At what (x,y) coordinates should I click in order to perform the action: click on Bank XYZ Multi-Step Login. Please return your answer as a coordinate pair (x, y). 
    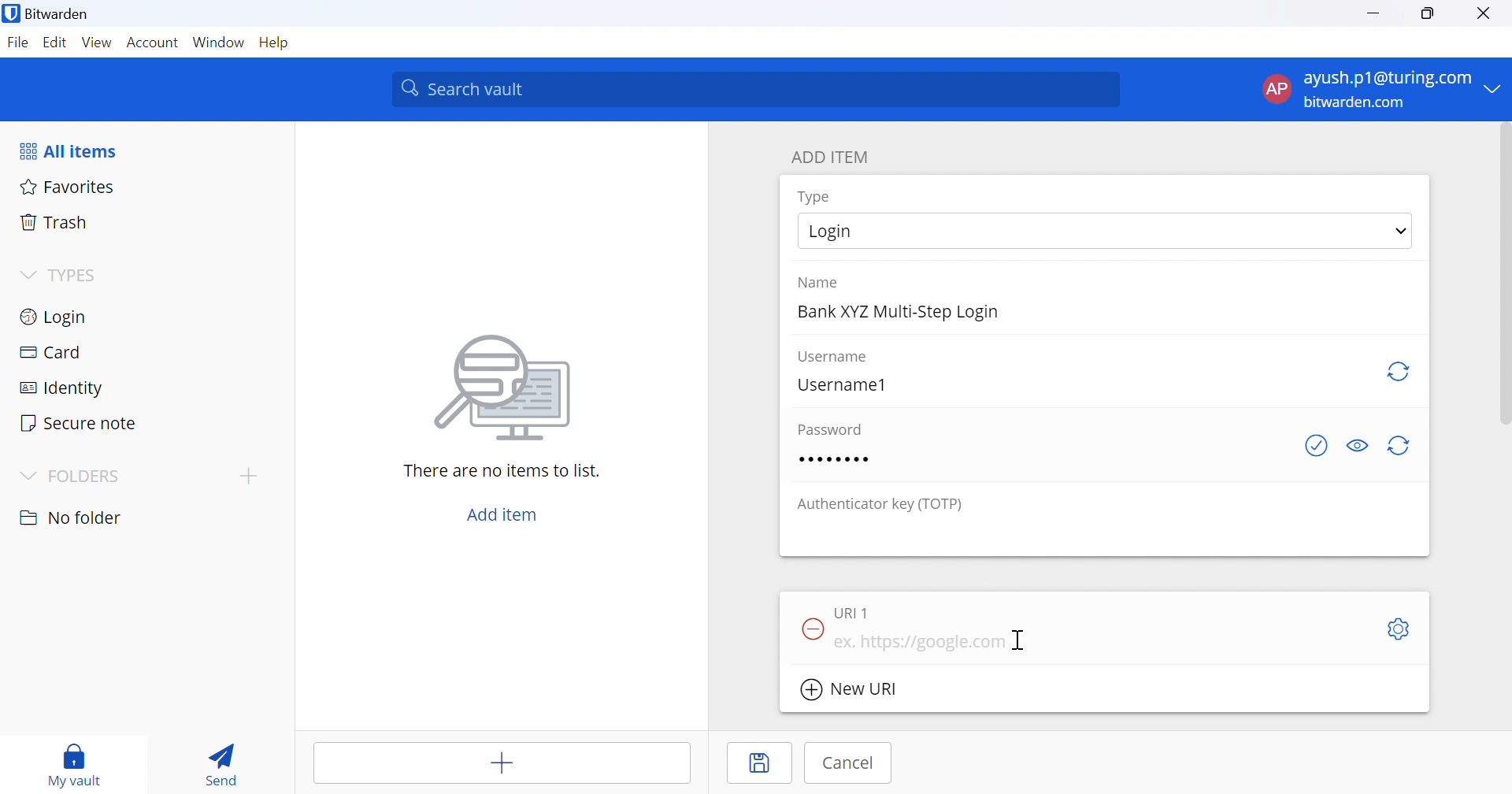
    Looking at the image, I should click on (900, 313).